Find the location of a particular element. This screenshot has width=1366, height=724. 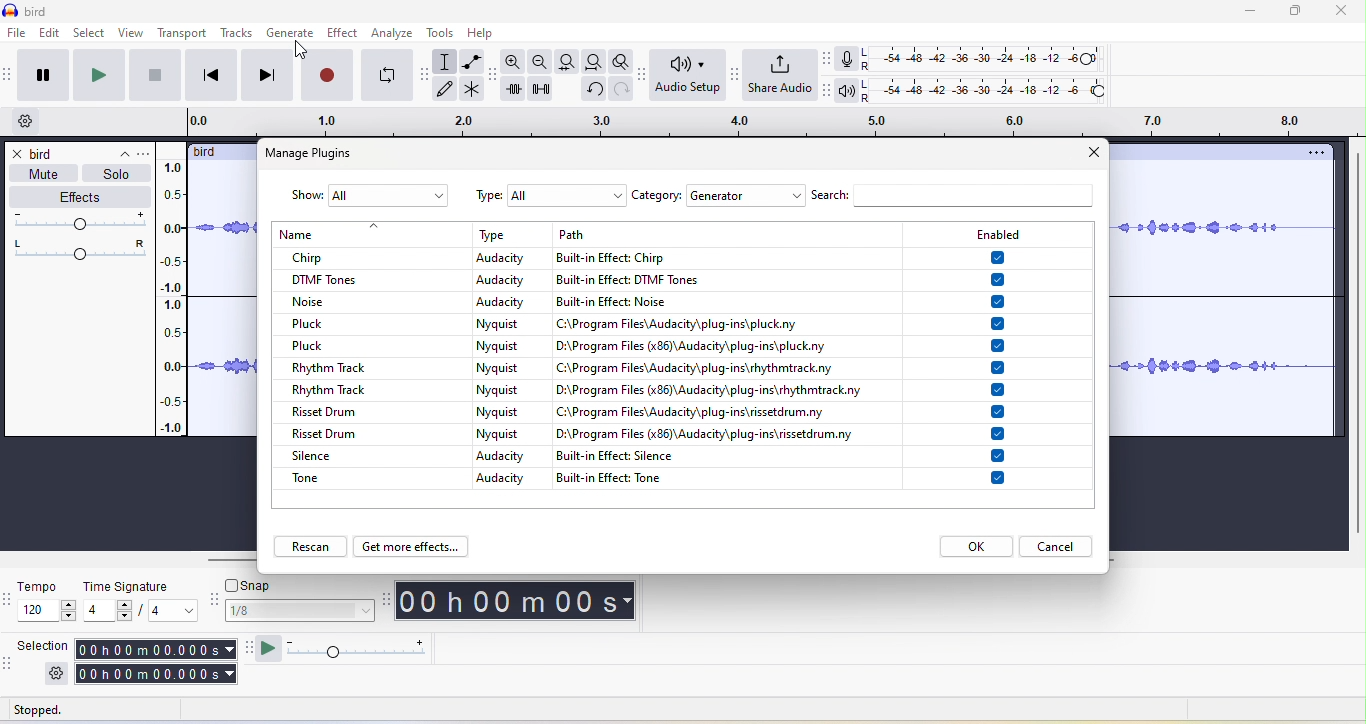

risset drum is located at coordinates (326, 433).